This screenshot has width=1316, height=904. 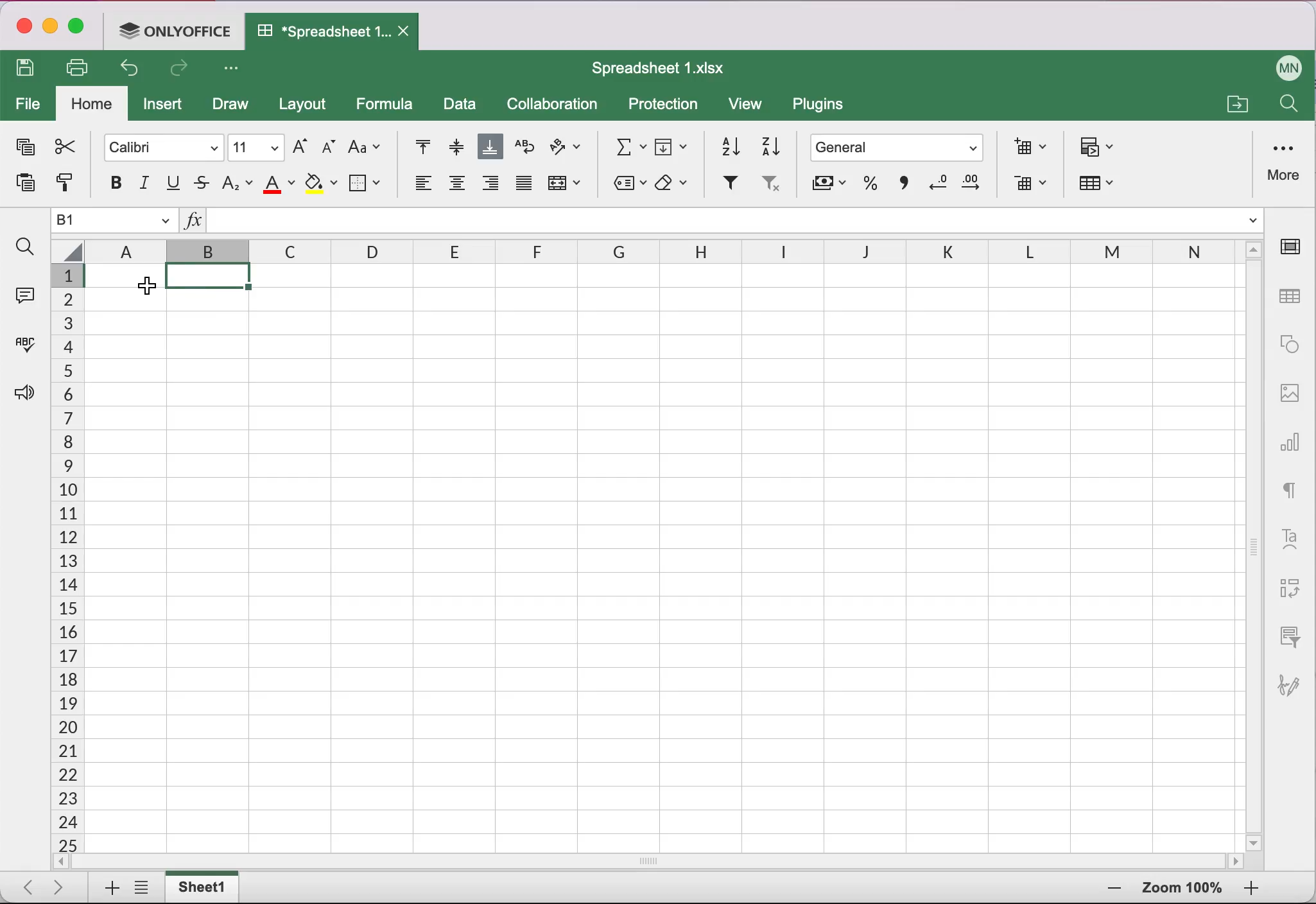 I want to click on image, so click(x=1290, y=391).